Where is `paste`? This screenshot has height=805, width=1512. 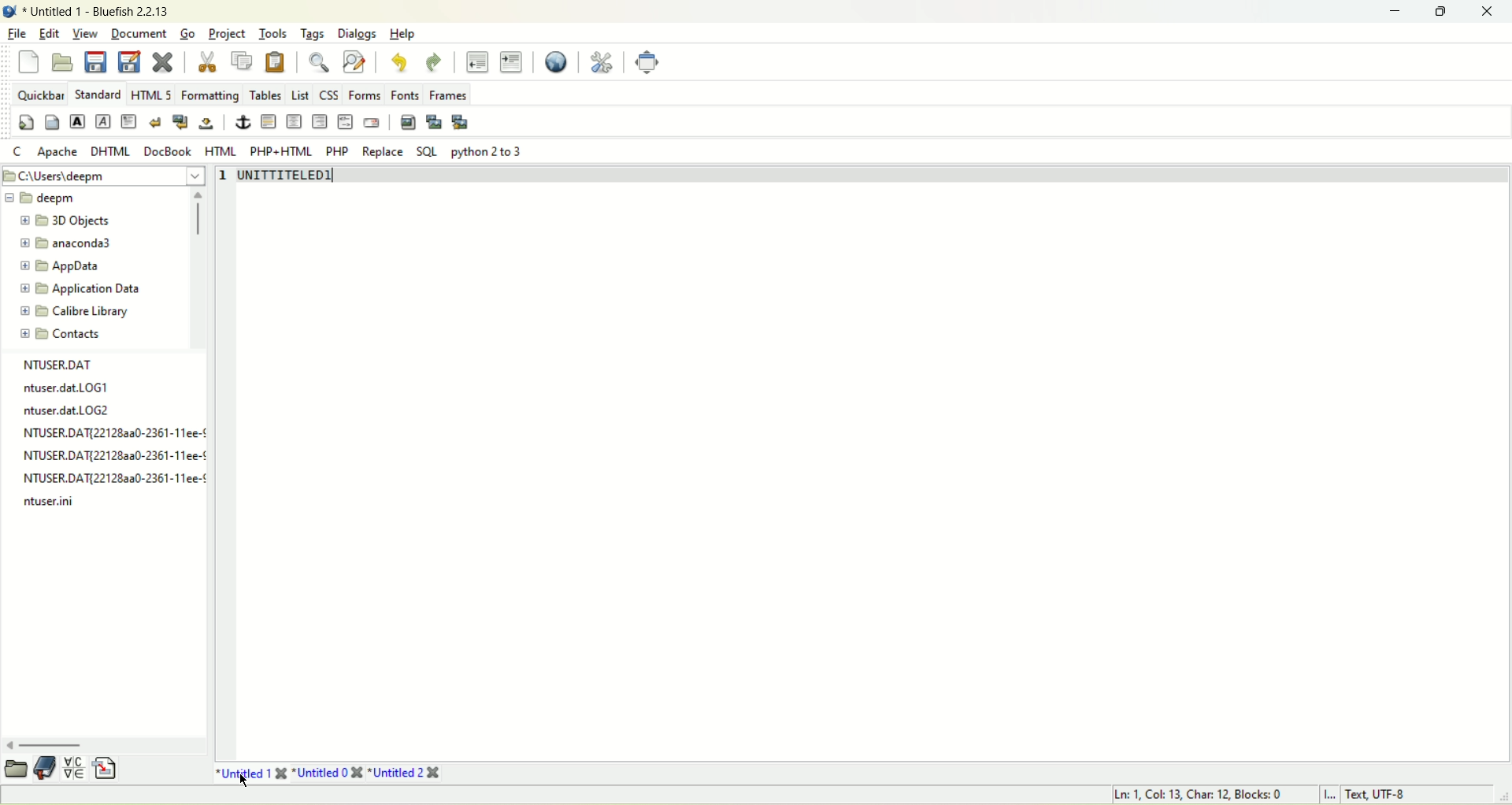 paste is located at coordinates (276, 62).